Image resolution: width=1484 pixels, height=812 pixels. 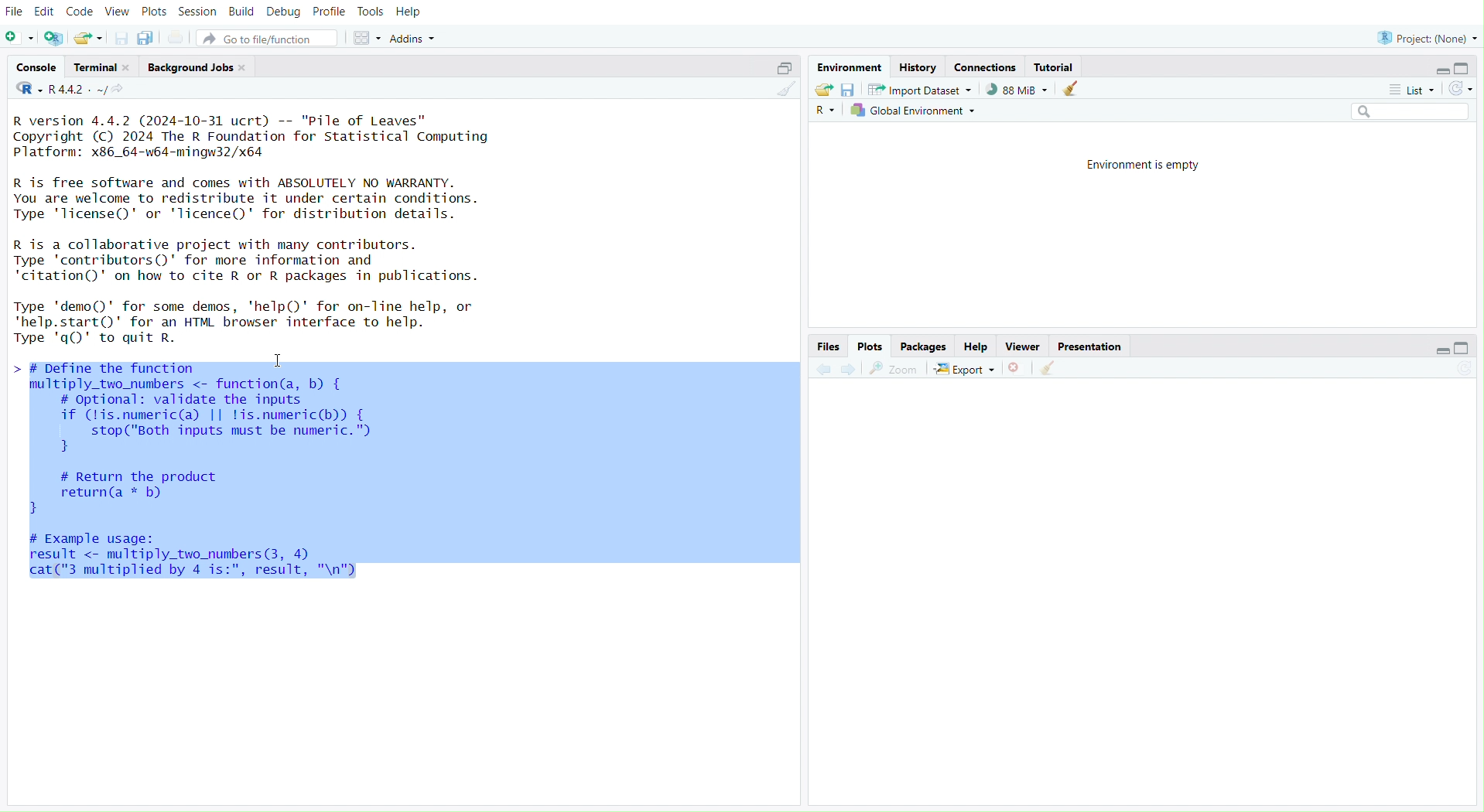 What do you see at coordinates (283, 14) in the screenshot?
I see `Debug` at bounding box center [283, 14].